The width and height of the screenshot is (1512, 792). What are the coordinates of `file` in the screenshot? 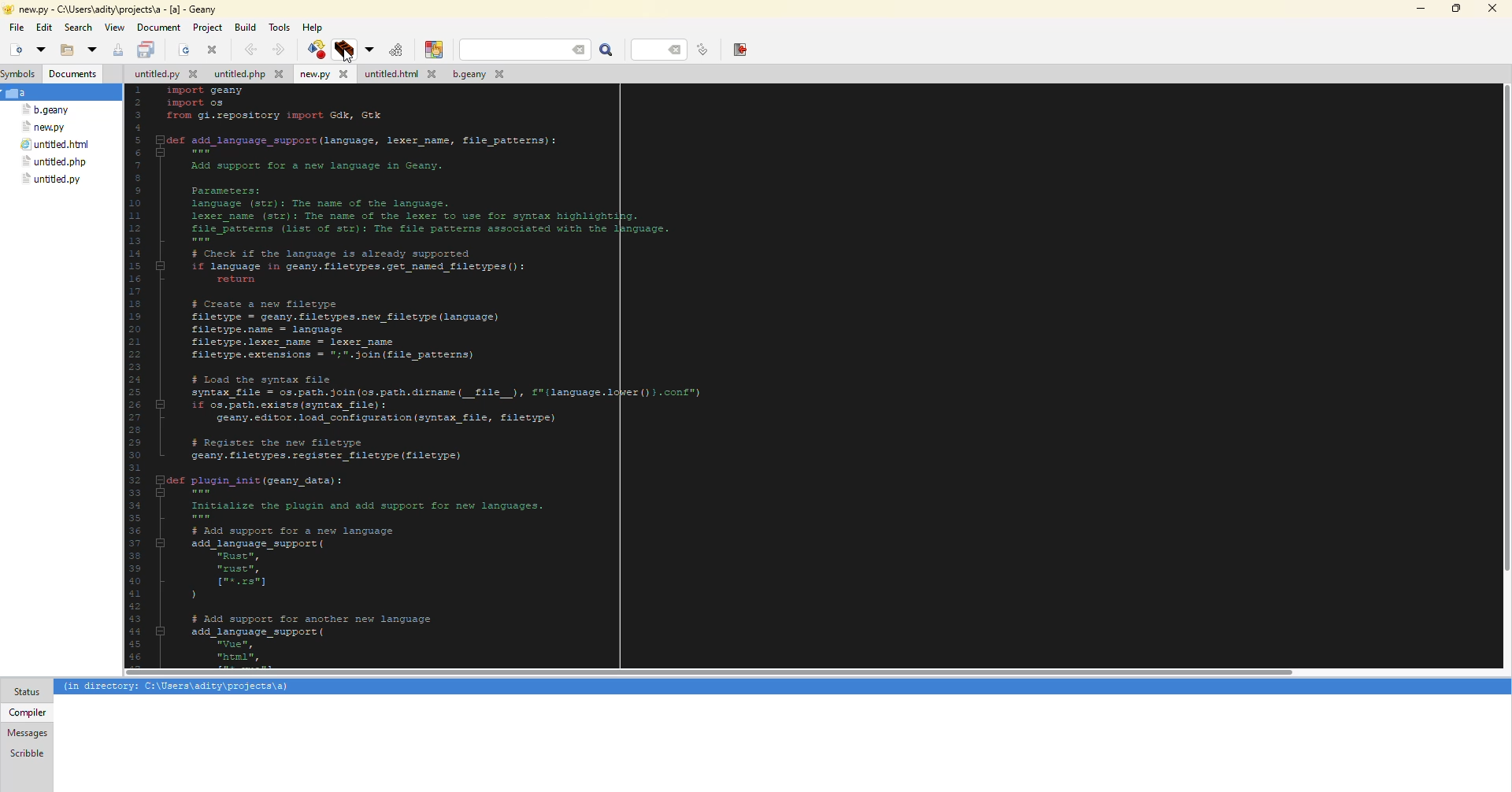 It's located at (48, 111).